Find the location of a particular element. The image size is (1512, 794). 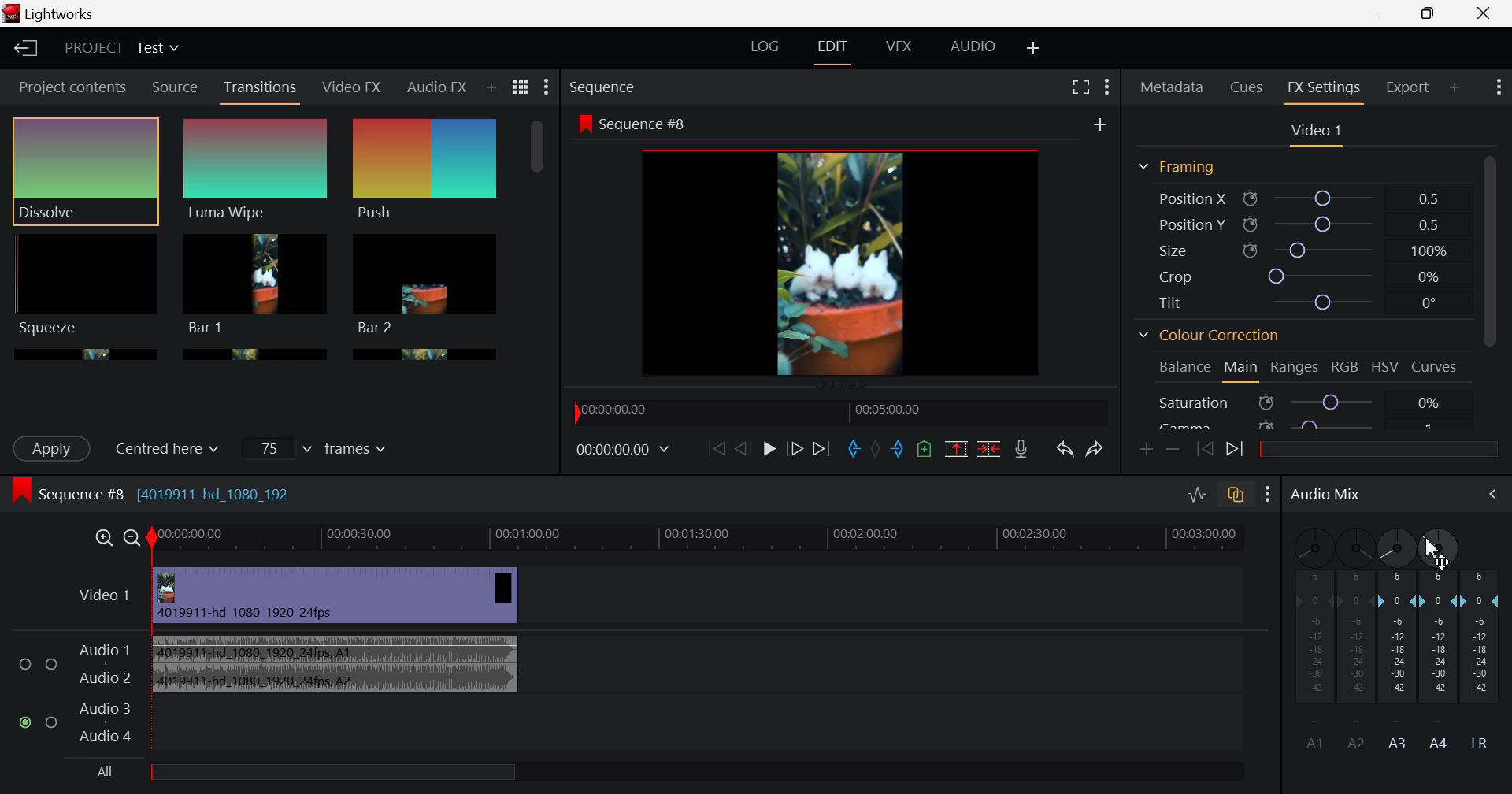

Video Input is located at coordinates (326, 595).